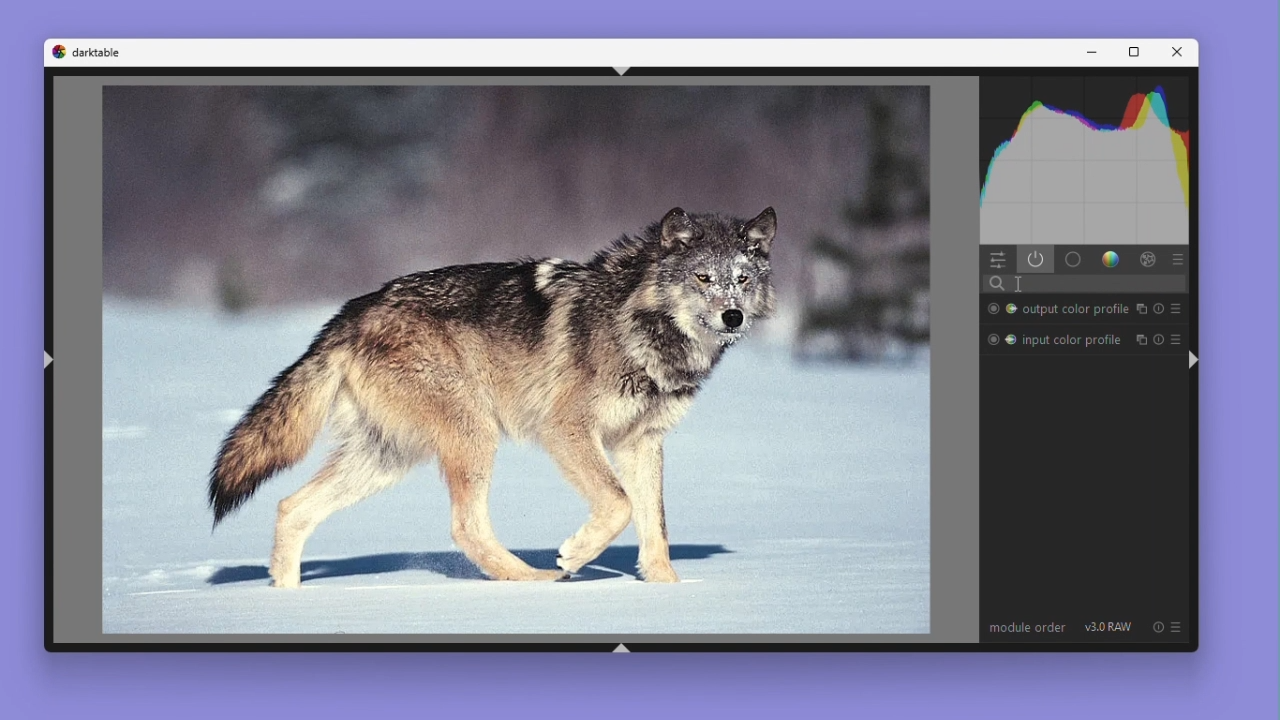 This screenshot has width=1280, height=720. What do you see at coordinates (1140, 309) in the screenshot?
I see `Instance` at bounding box center [1140, 309].